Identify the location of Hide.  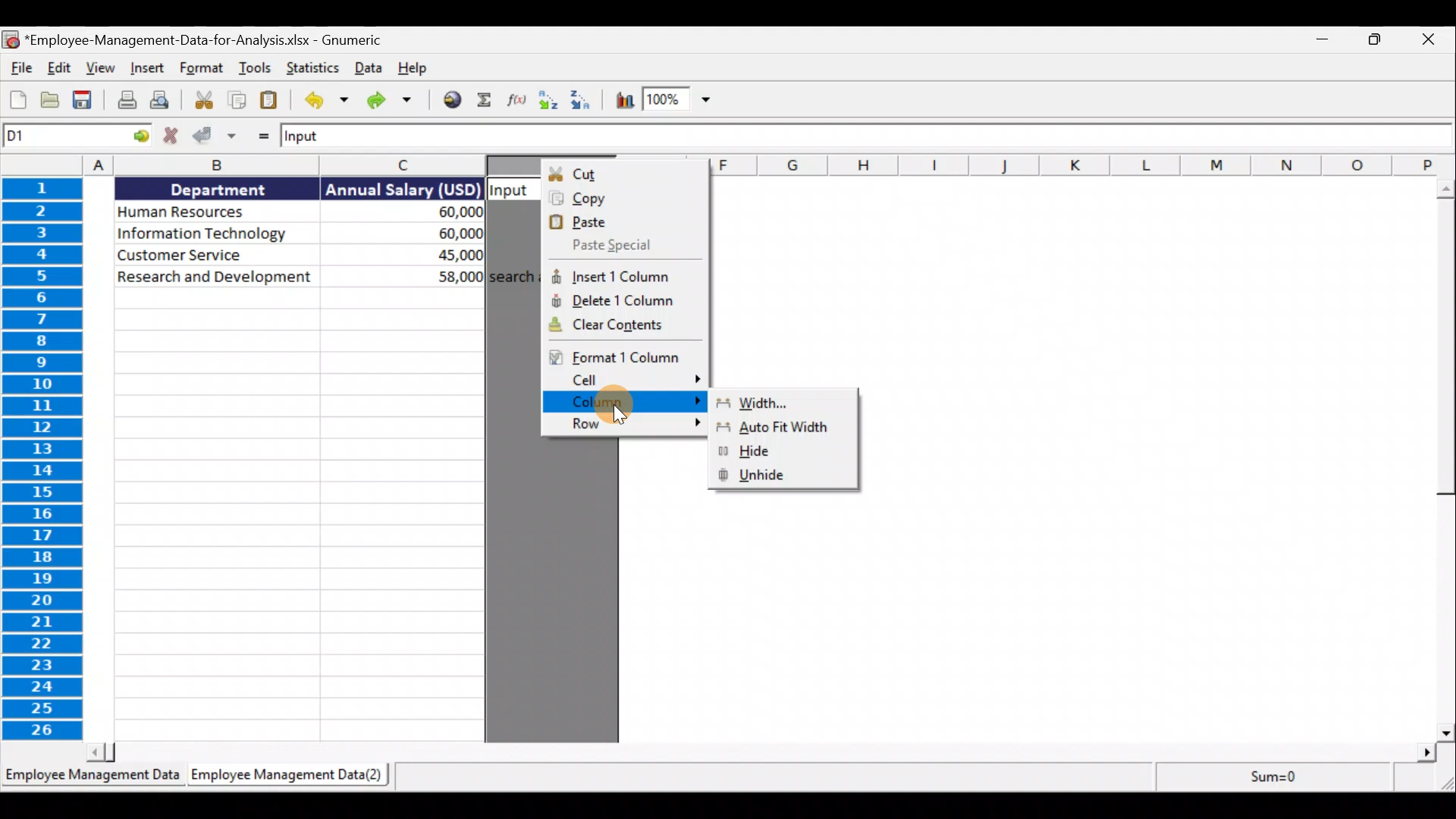
(786, 453).